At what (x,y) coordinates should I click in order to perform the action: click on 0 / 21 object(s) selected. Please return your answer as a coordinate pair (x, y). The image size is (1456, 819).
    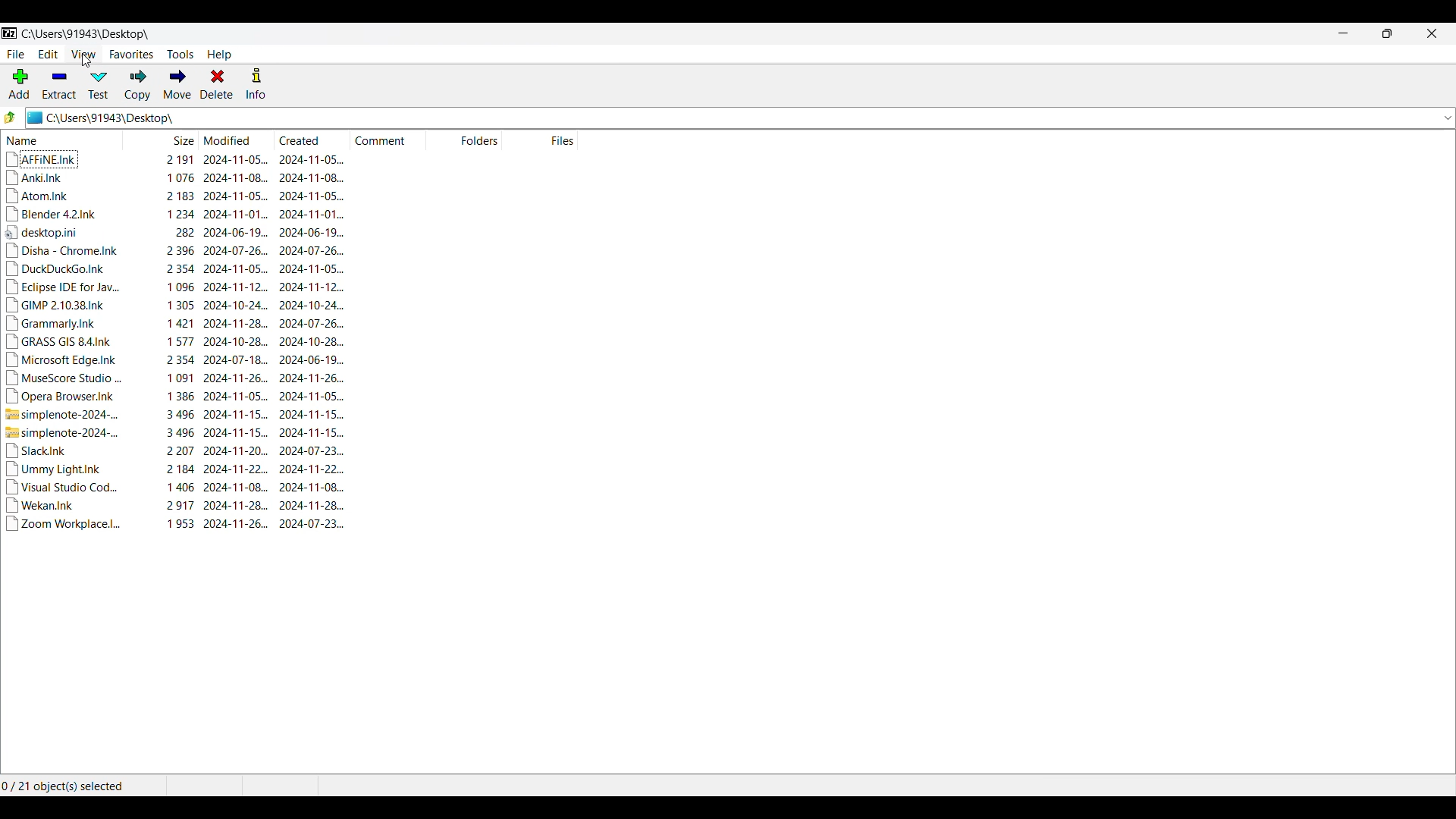
    Looking at the image, I should click on (67, 786).